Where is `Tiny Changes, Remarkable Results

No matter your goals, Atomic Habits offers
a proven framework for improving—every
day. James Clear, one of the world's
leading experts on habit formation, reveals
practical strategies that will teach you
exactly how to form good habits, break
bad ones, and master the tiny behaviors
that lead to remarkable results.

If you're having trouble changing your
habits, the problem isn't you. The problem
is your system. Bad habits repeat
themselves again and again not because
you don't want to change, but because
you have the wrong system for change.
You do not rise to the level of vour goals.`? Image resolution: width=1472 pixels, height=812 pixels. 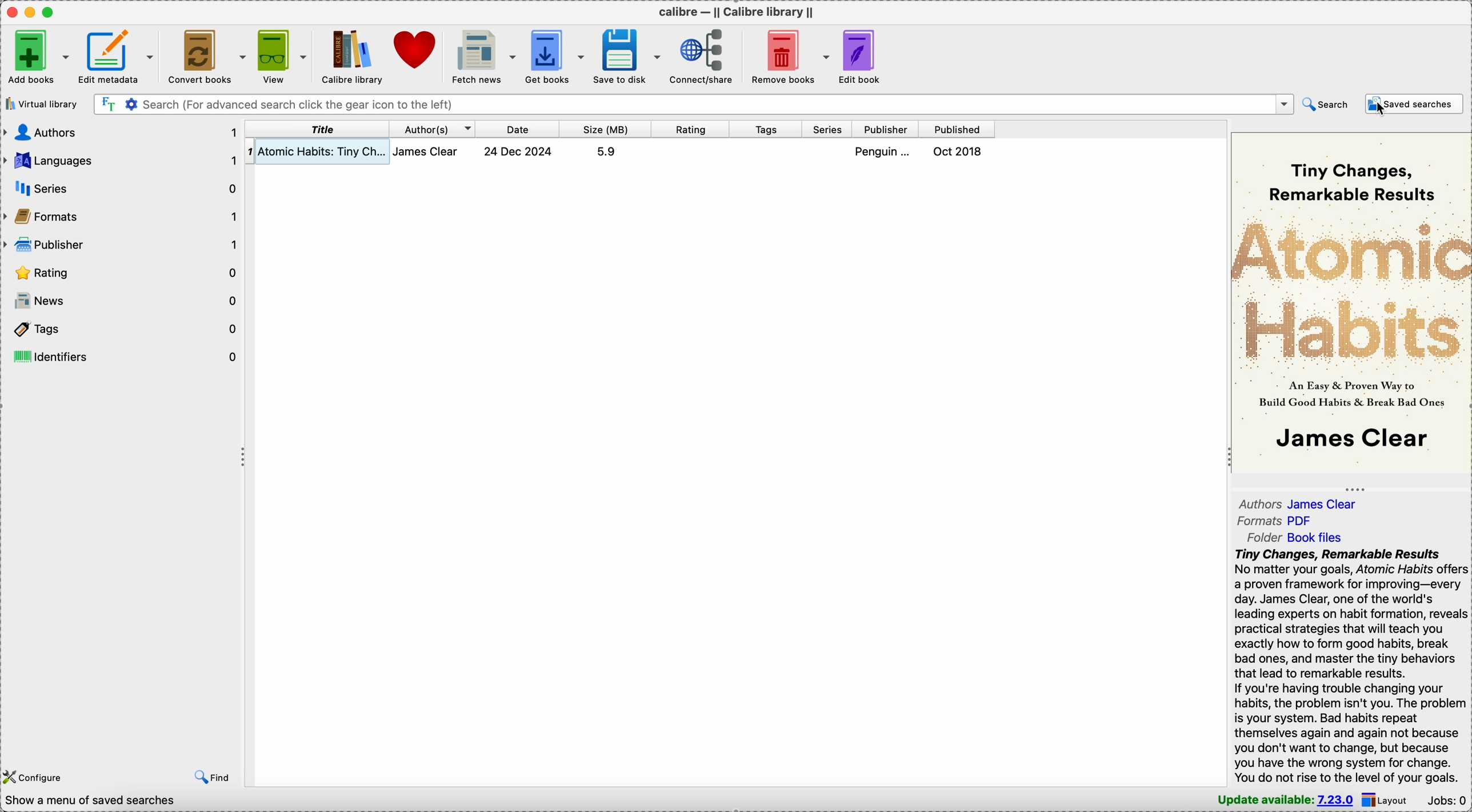 Tiny Changes, Remarkable Results

No matter your goals, Atomic Habits offers
a proven framework for improving—every
day. James Clear, one of the world's
leading experts on habit formation, reveals
practical strategies that will teach you
exactly how to form good habits, break
bad ones, and master the tiny behaviors
that lead to remarkable results.

If you're having trouble changing your
habits, the problem isn't you. The problem
is your system. Bad habits repeat
themselves again and again not because
you don't want to change, but because
you have the wrong system for change.
You do not rise to the level of vour goals. is located at coordinates (1343, 666).